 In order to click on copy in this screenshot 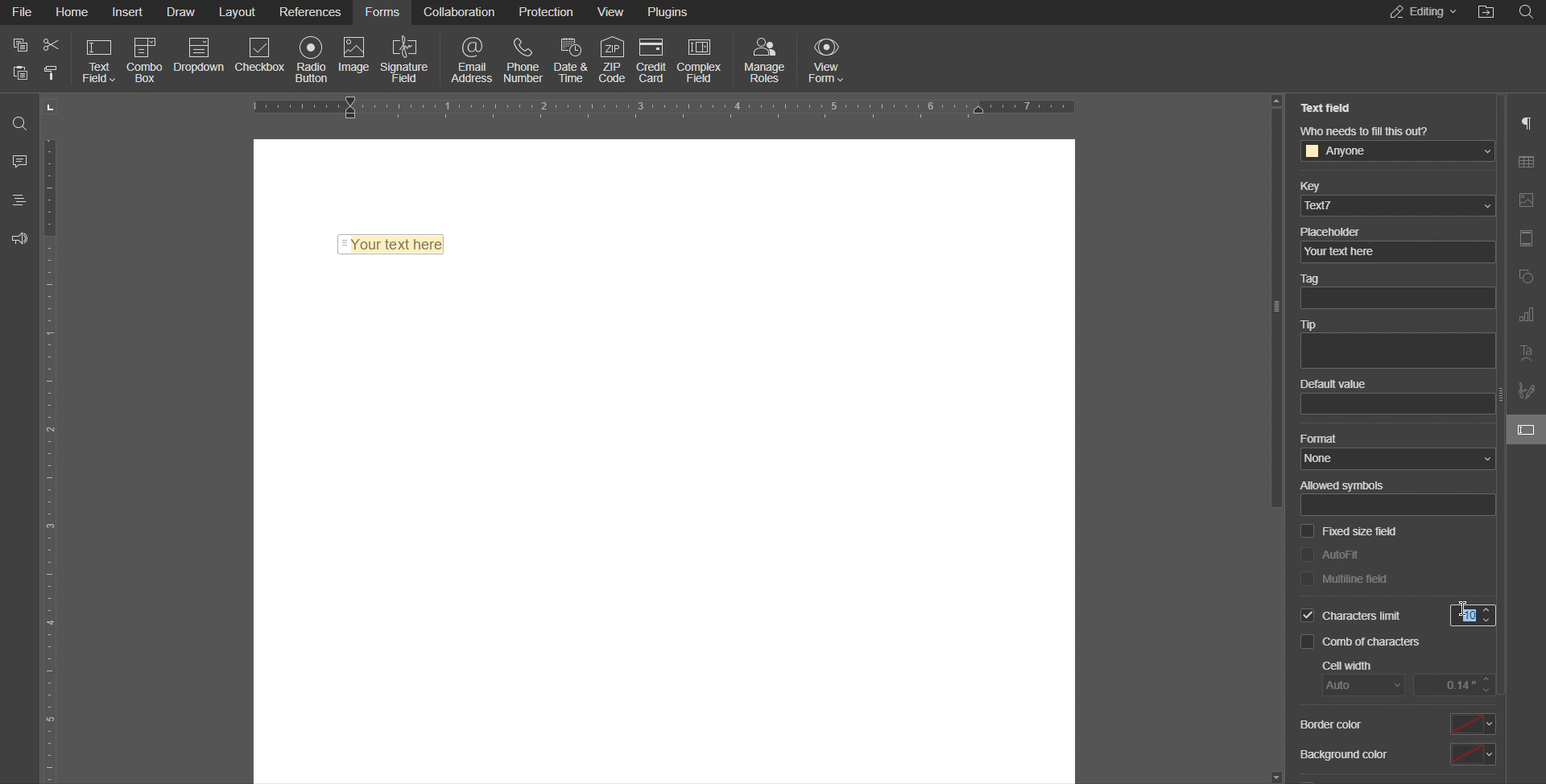, I will do `click(19, 45)`.